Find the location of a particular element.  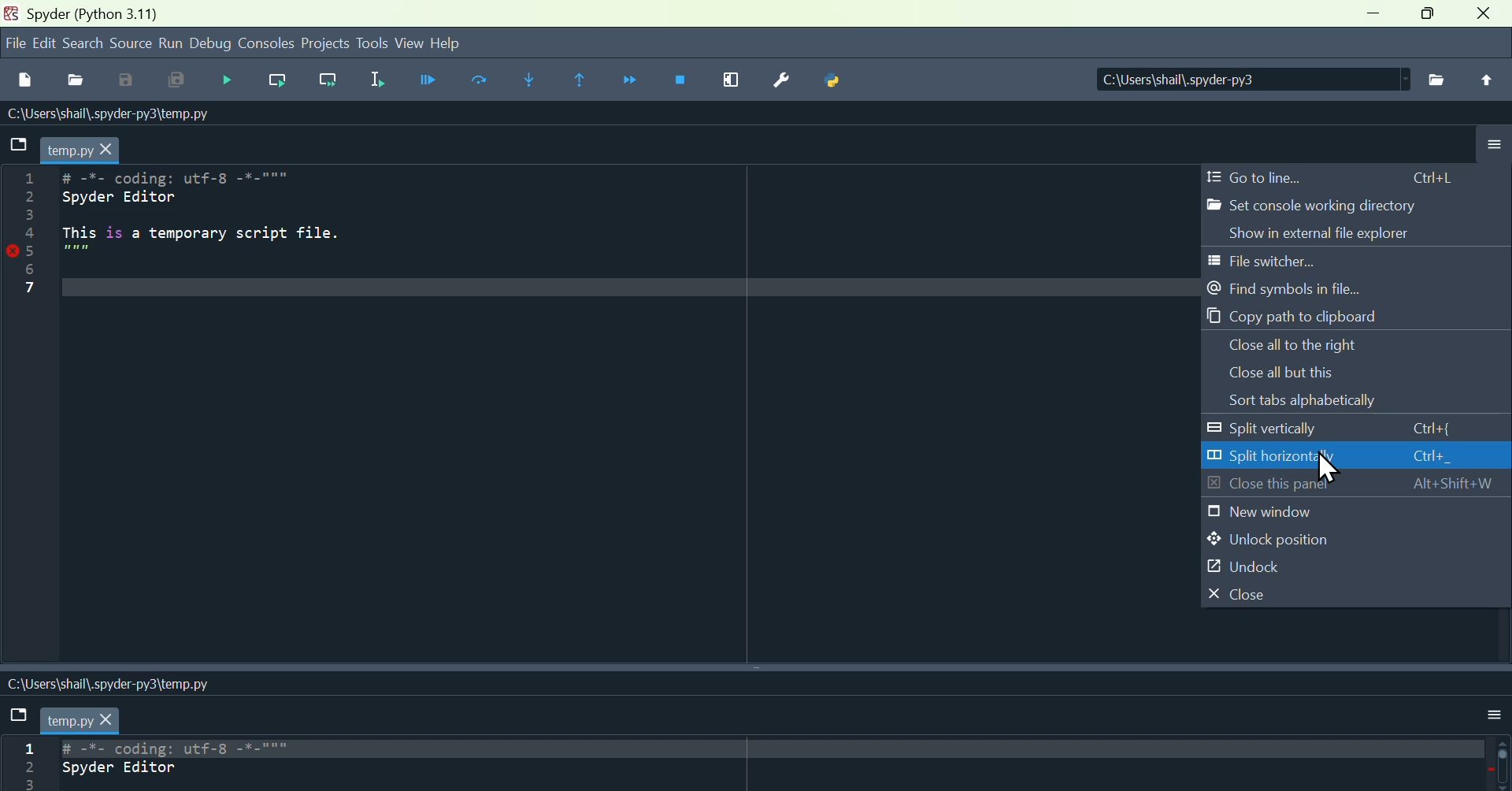

Go to line is located at coordinates (1329, 179).